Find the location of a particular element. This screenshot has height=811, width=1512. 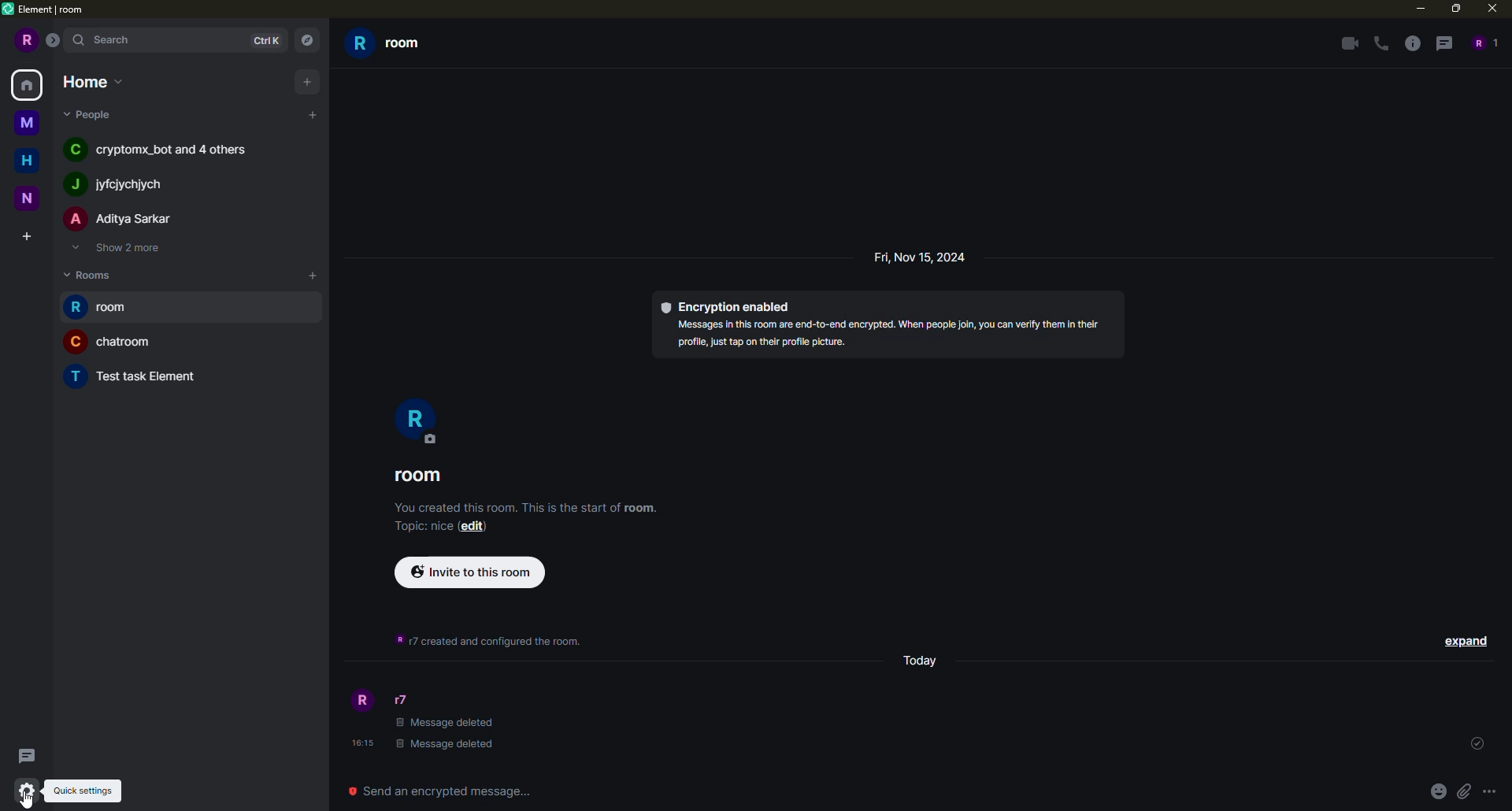

invite to this room is located at coordinates (471, 571).